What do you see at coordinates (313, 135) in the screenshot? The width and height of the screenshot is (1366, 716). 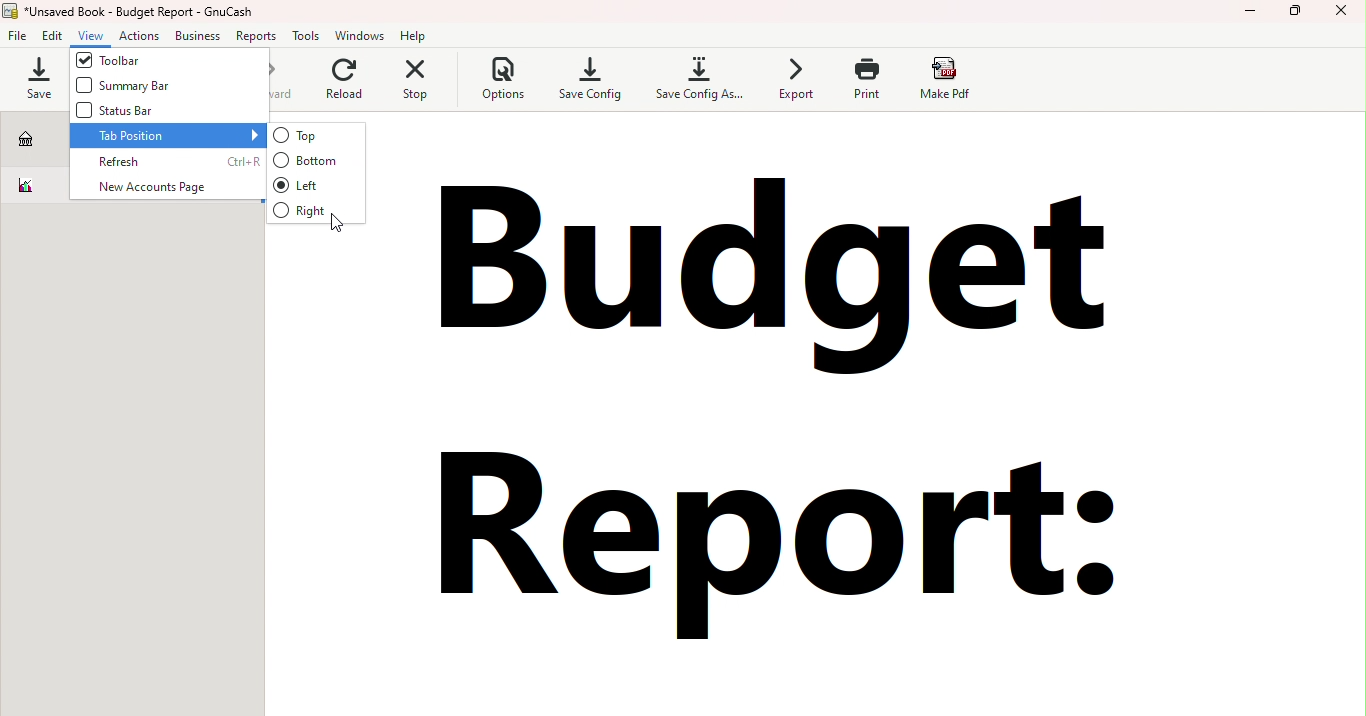 I see `Top` at bounding box center [313, 135].